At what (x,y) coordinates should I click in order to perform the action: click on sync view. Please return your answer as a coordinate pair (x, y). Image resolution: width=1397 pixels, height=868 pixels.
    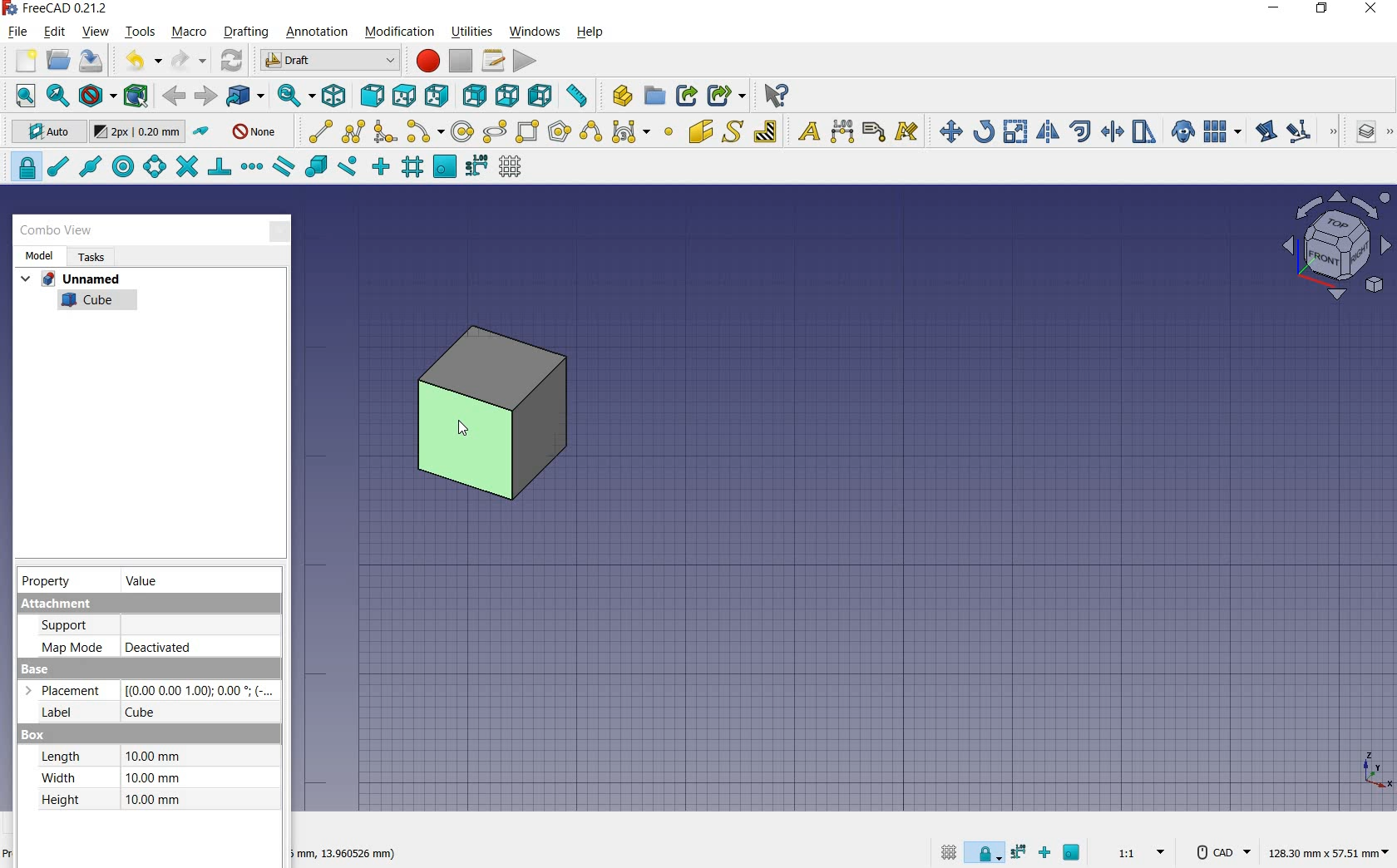
    Looking at the image, I should click on (295, 96).